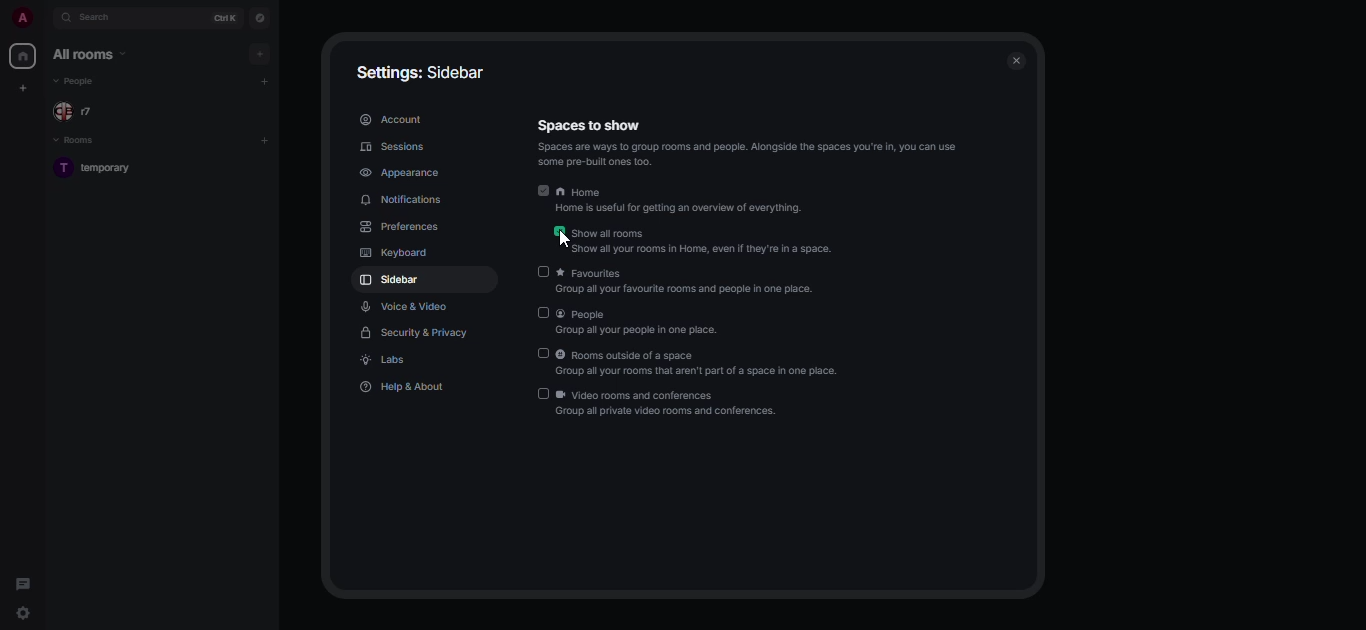  I want to click on sessions, so click(390, 146).